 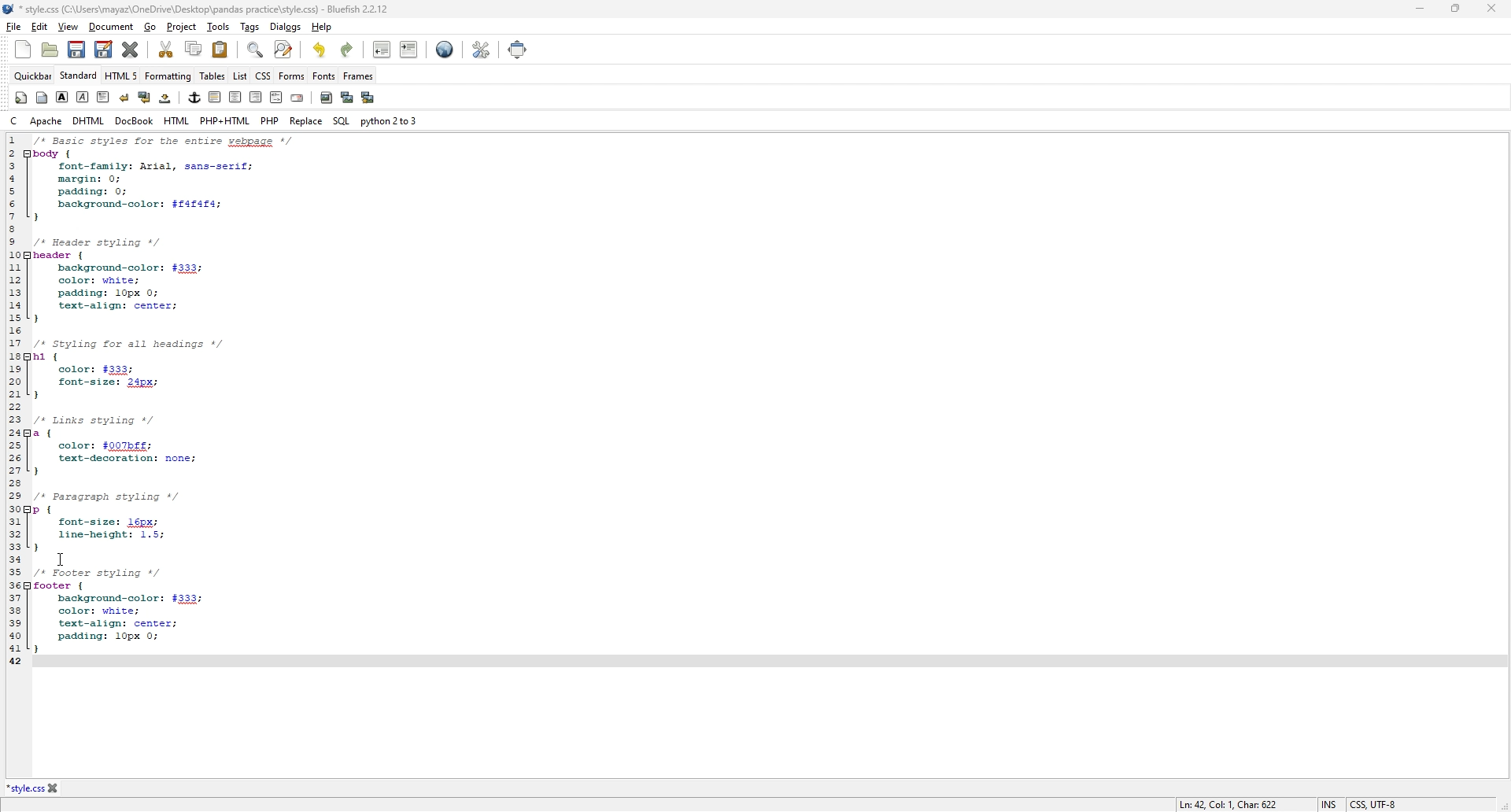 What do you see at coordinates (220, 49) in the screenshot?
I see `paste` at bounding box center [220, 49].